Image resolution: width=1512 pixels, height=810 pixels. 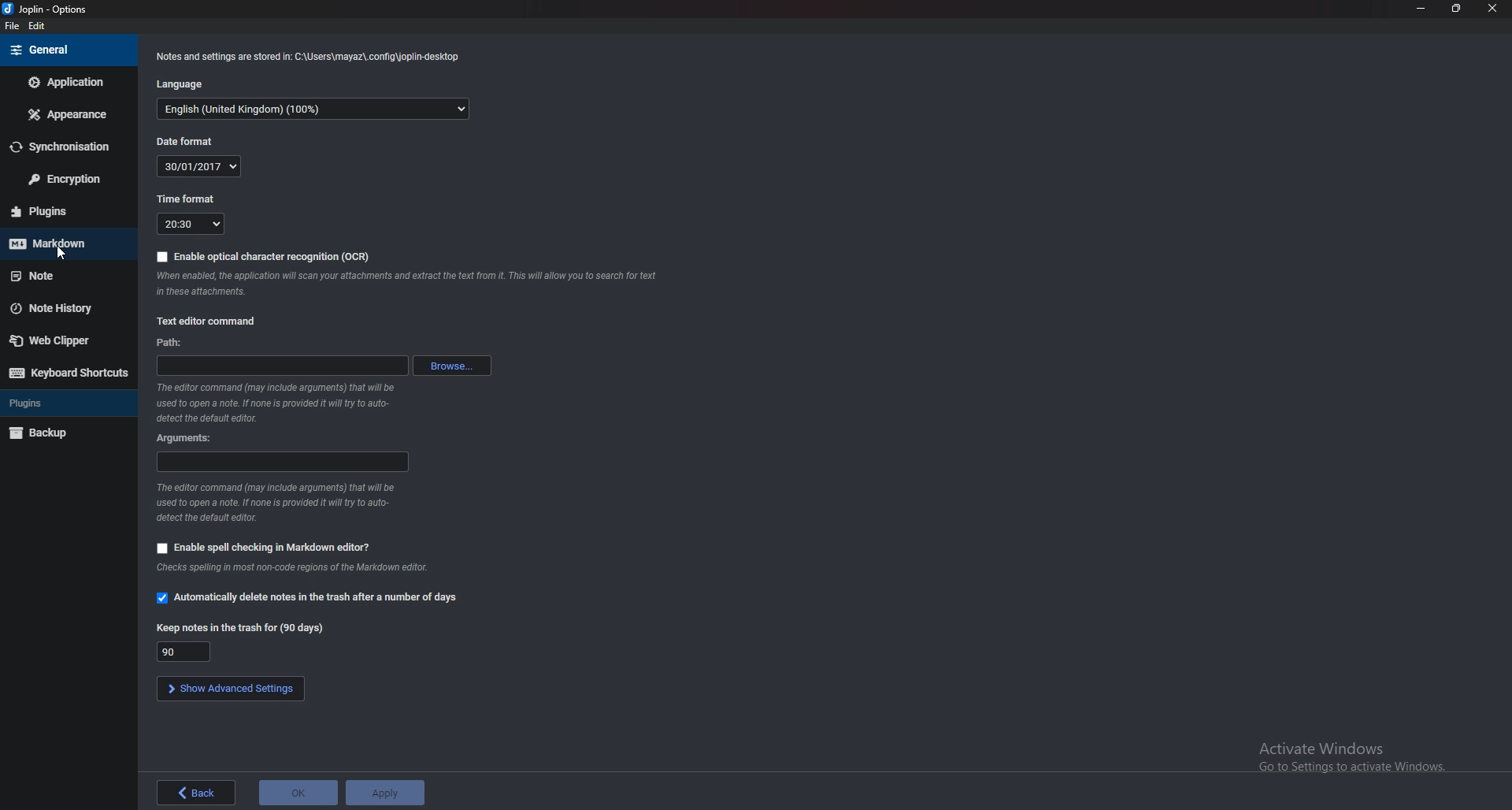 What do you see at coordinates (198, 792) in the screenshot?
I see `back` at bounding box center [198, 792].